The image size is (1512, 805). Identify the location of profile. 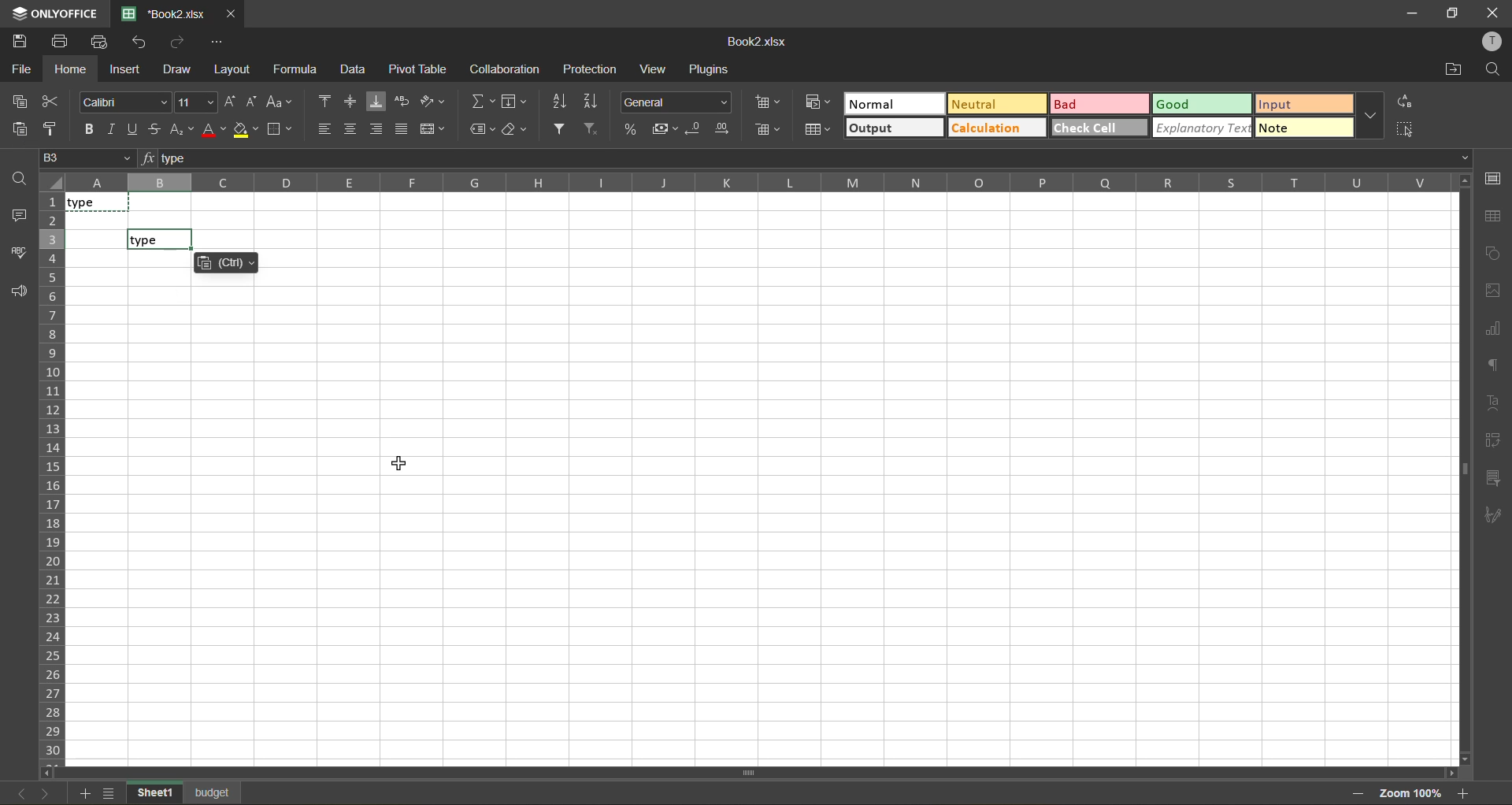
(1495, 39).